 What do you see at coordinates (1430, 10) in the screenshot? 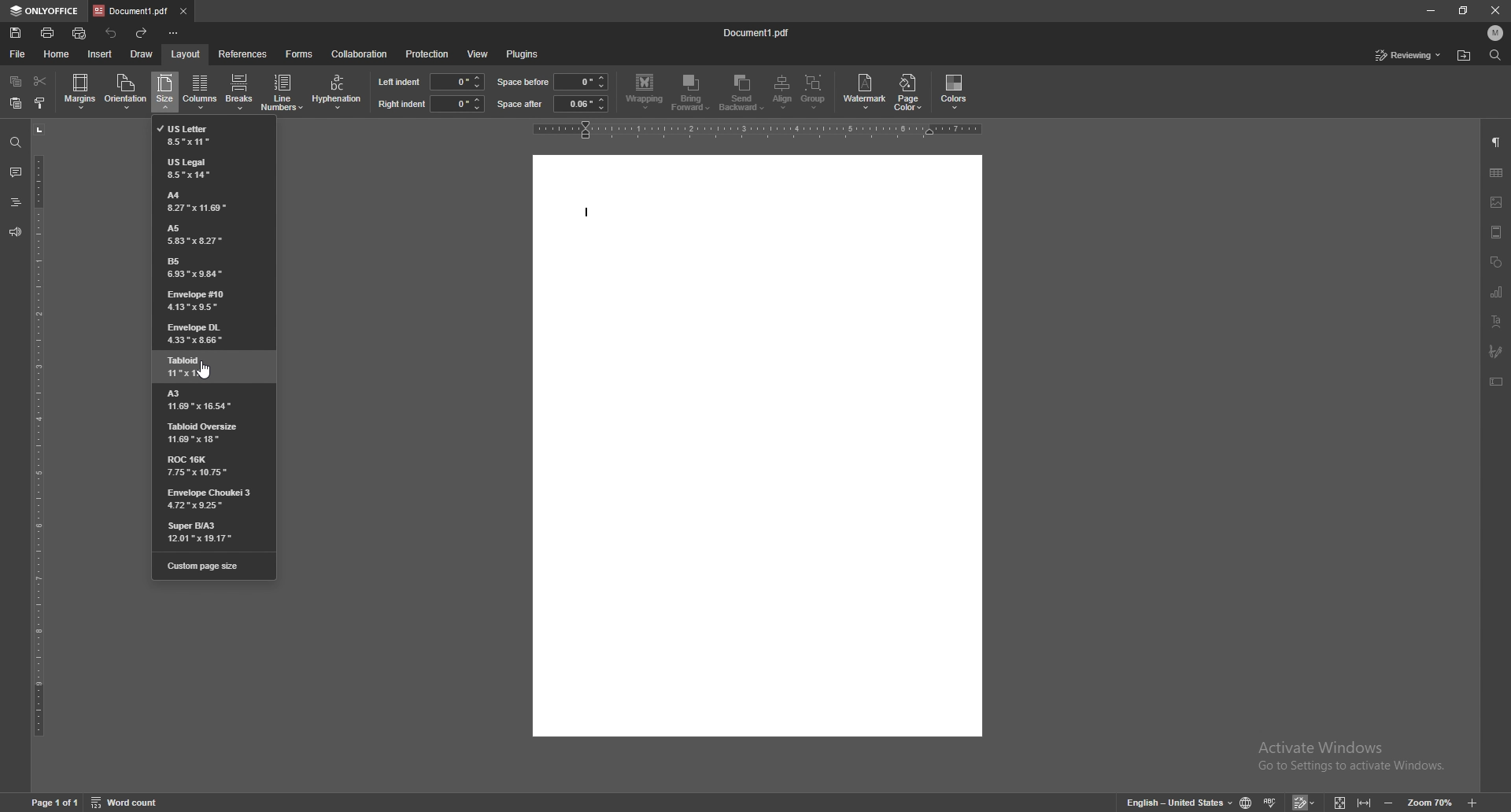
I see `minimize` at bounding box center [1430, 10].